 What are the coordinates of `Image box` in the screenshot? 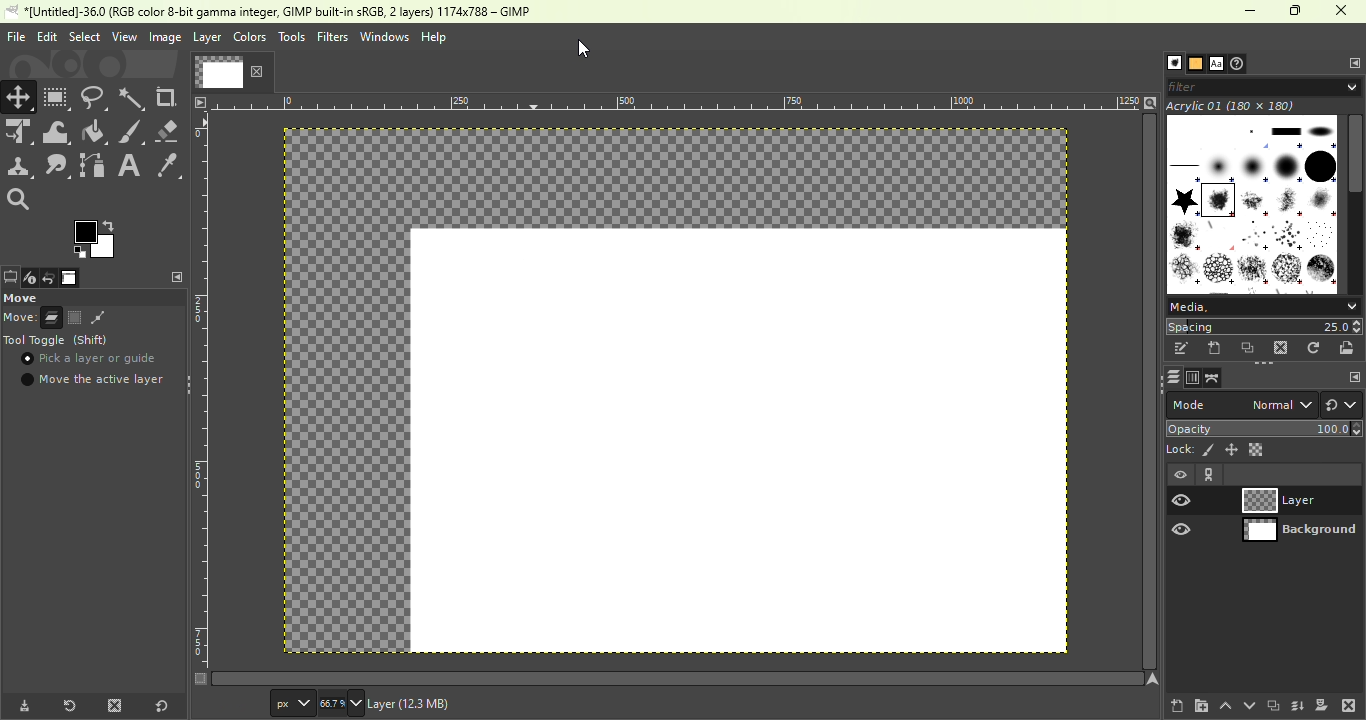 It's located at (1252, 199).